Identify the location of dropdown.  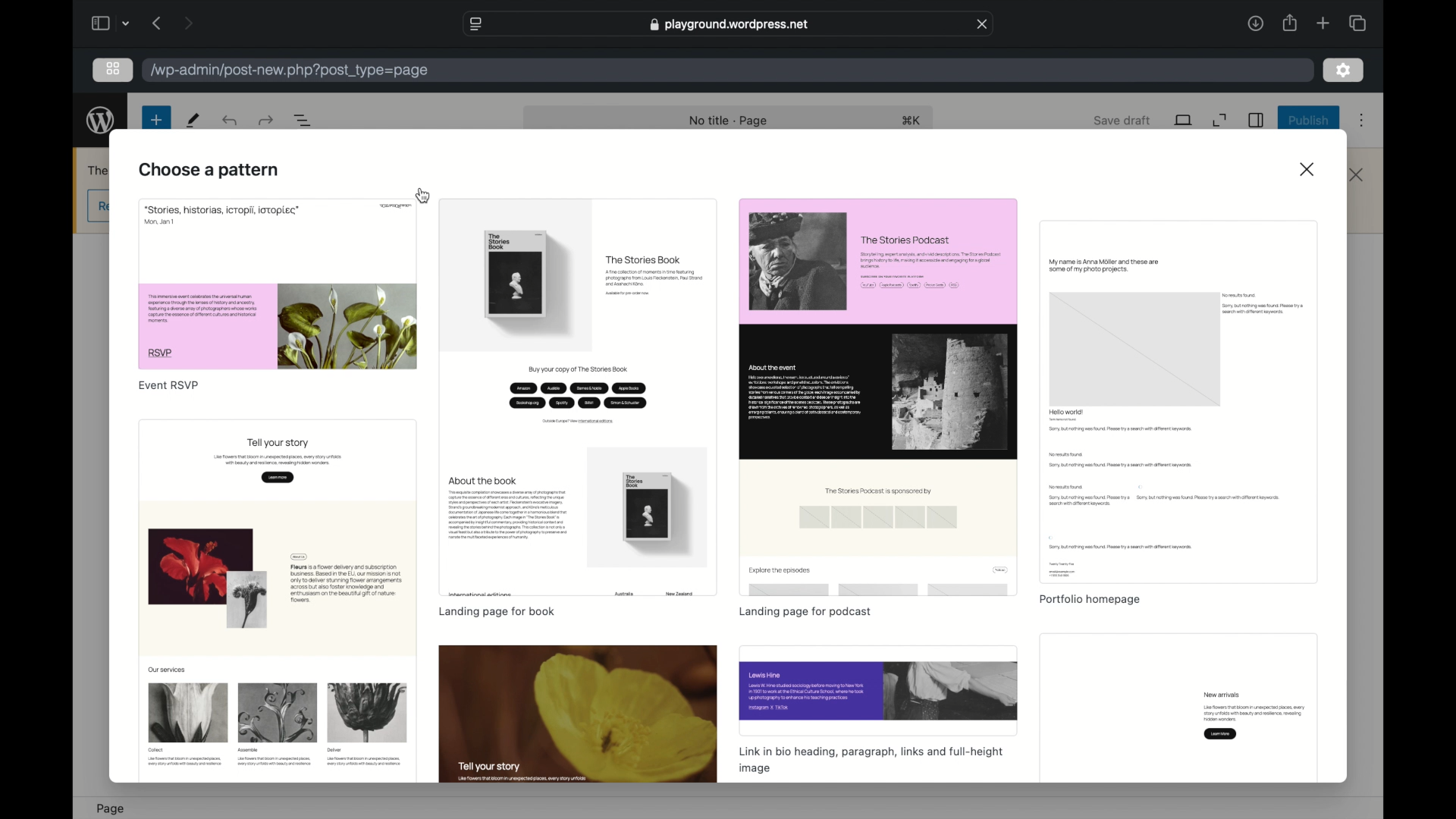
(126, 23).